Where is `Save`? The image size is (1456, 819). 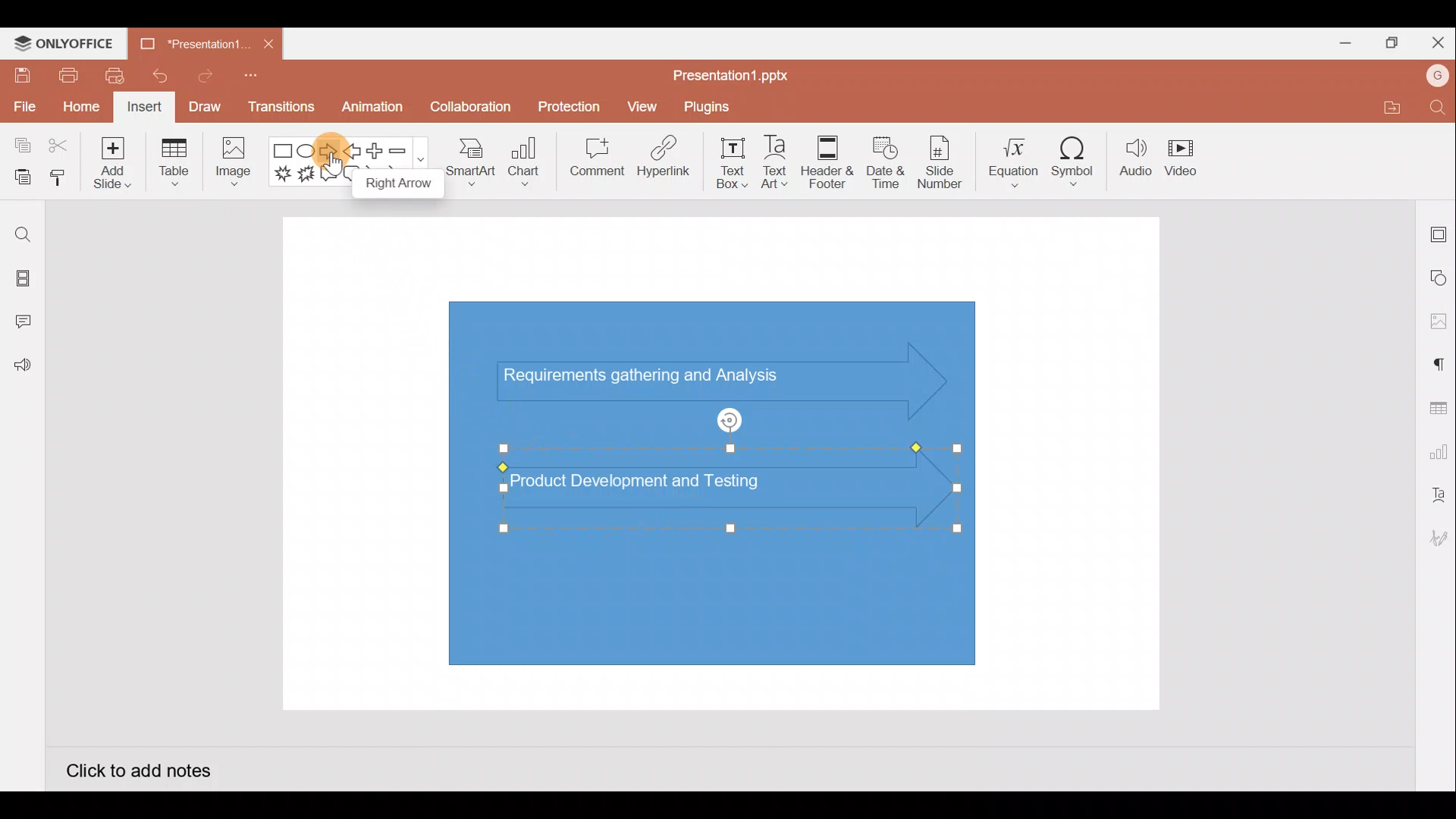
Save is located at coordinates (20, 74).